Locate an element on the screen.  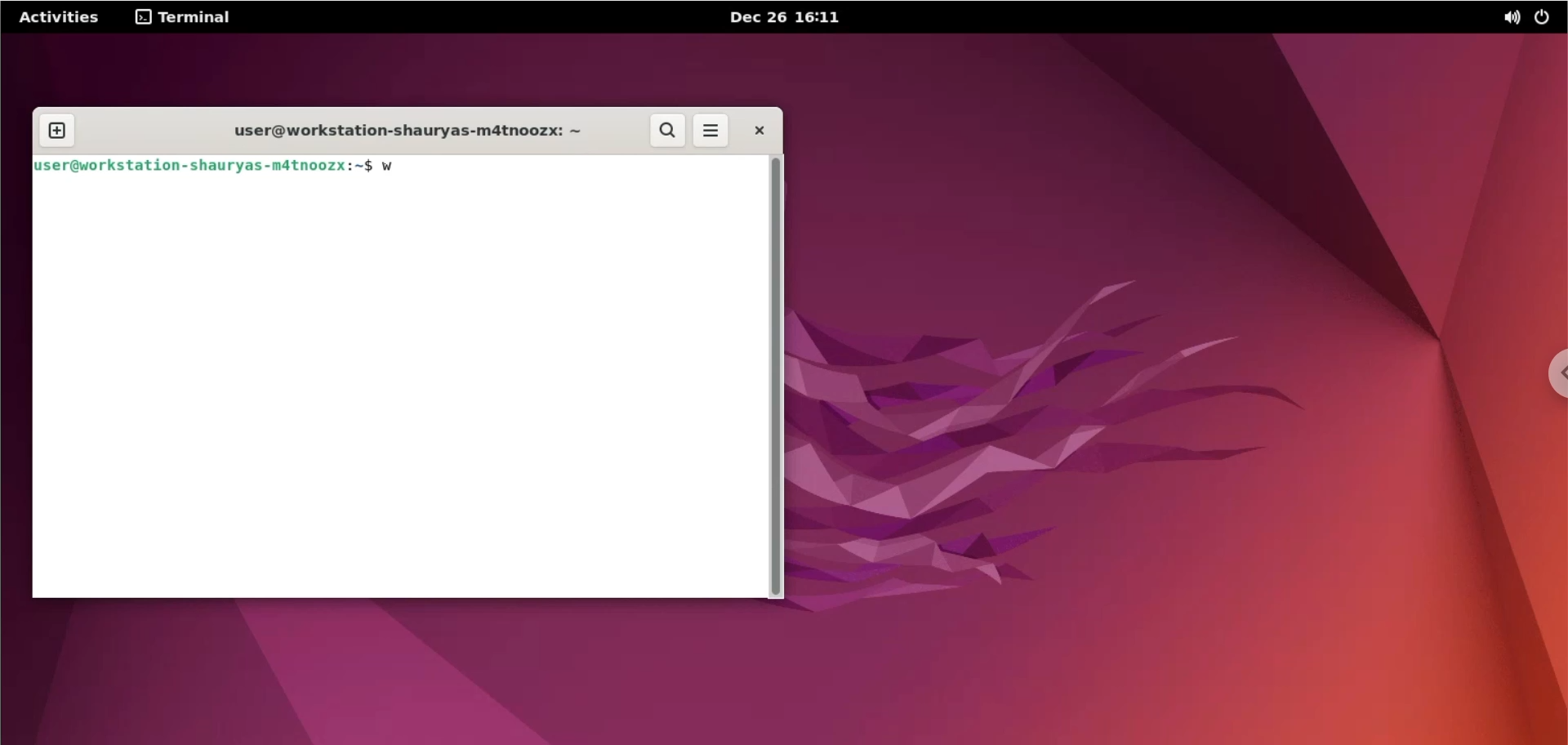
new tab is located at coordinates (56, 132).